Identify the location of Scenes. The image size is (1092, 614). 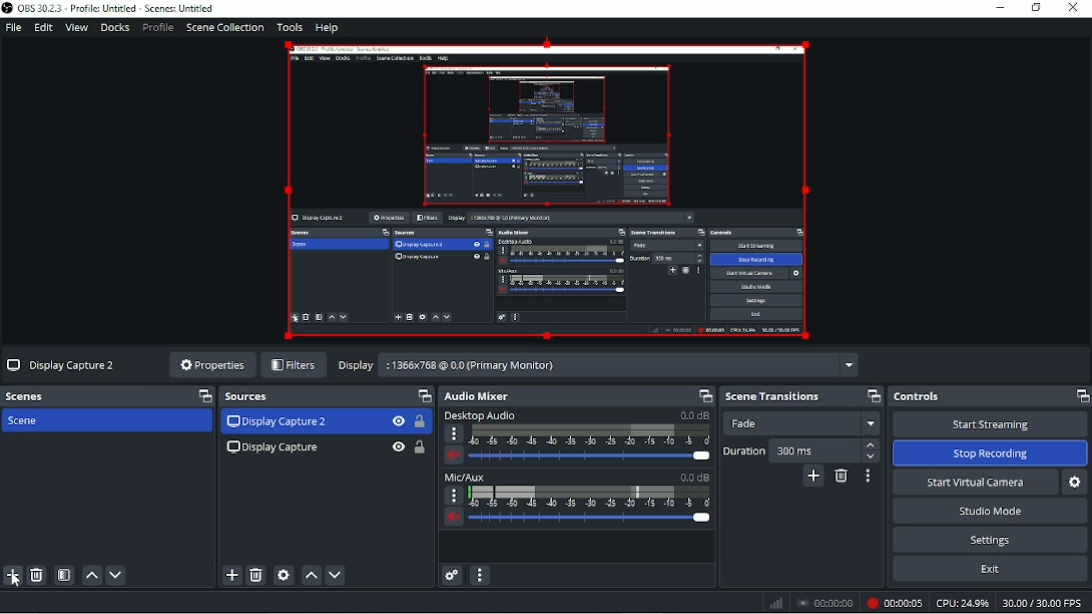
(29, 398).